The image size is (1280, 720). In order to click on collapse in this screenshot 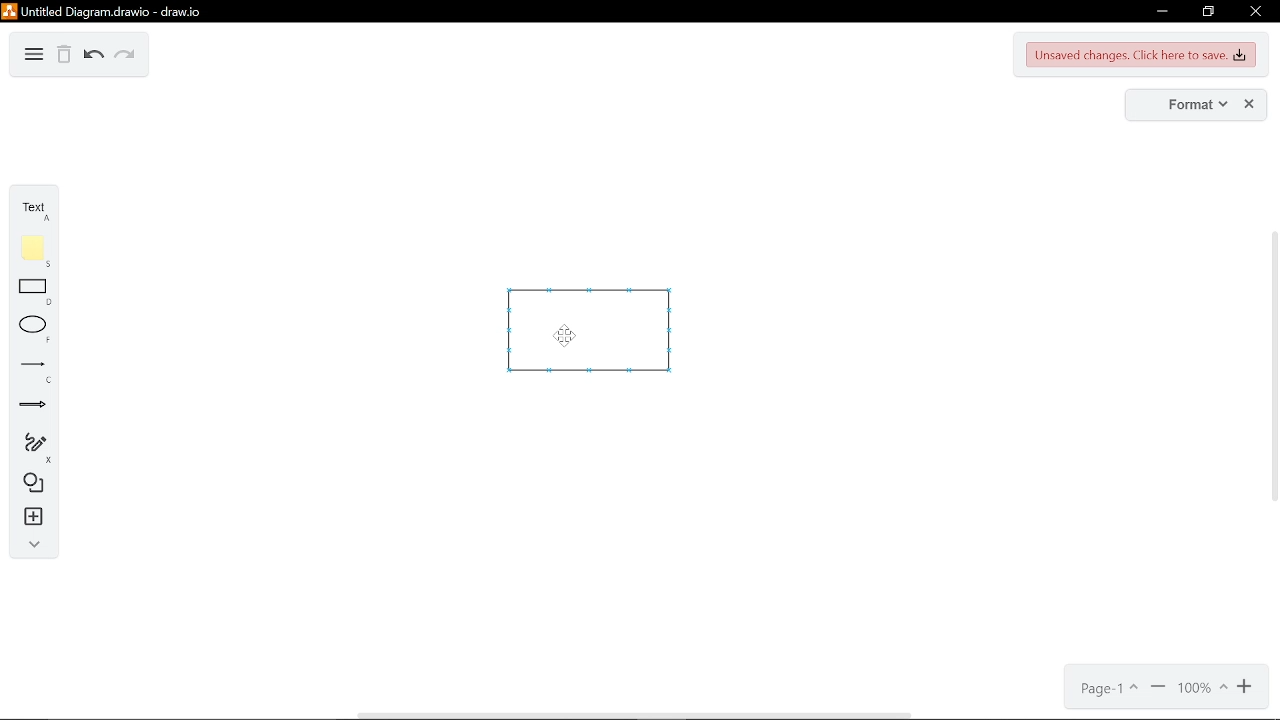, I will do `click(34, 546)`.